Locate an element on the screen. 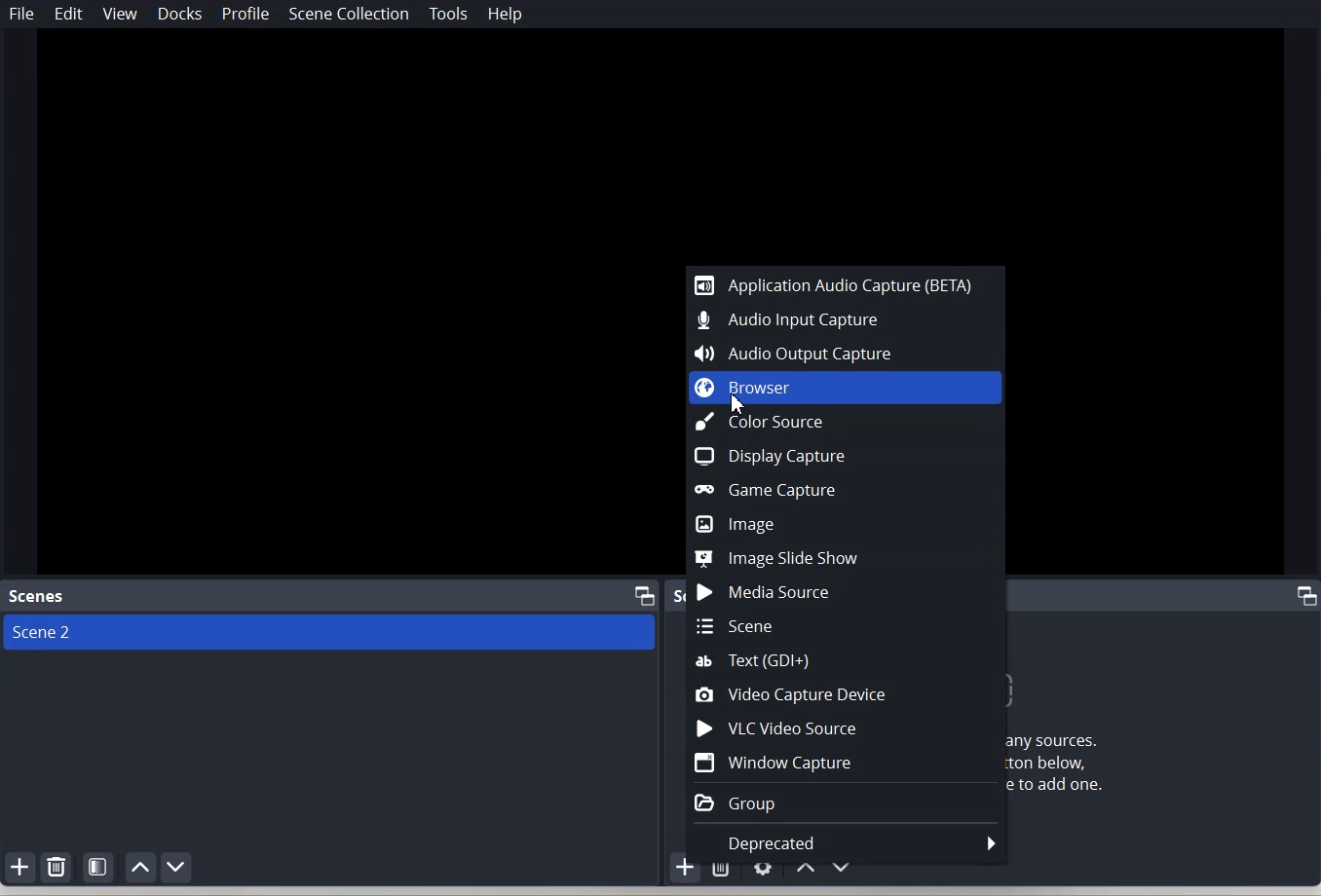 Image resolution: width=1321 pixels, height=896 pixels. Move Source up is located at coordinates (804, 871).